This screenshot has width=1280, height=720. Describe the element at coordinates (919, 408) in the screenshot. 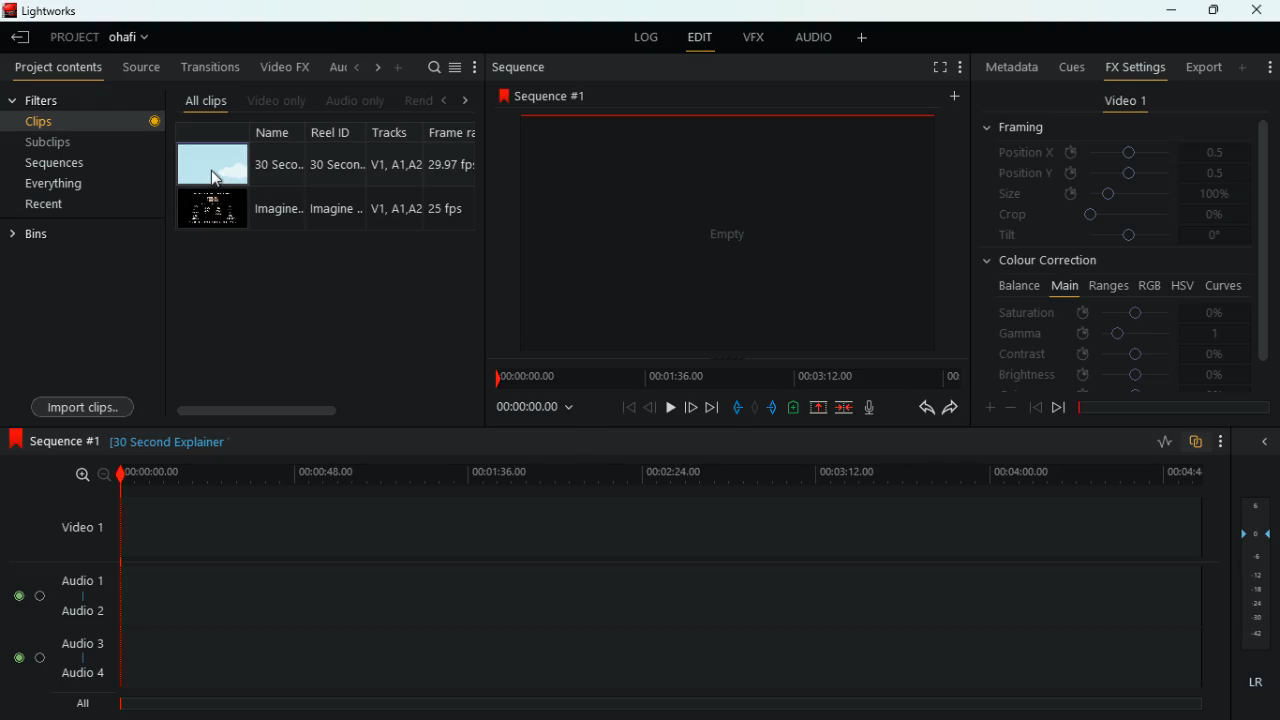

I see `back` at that location.